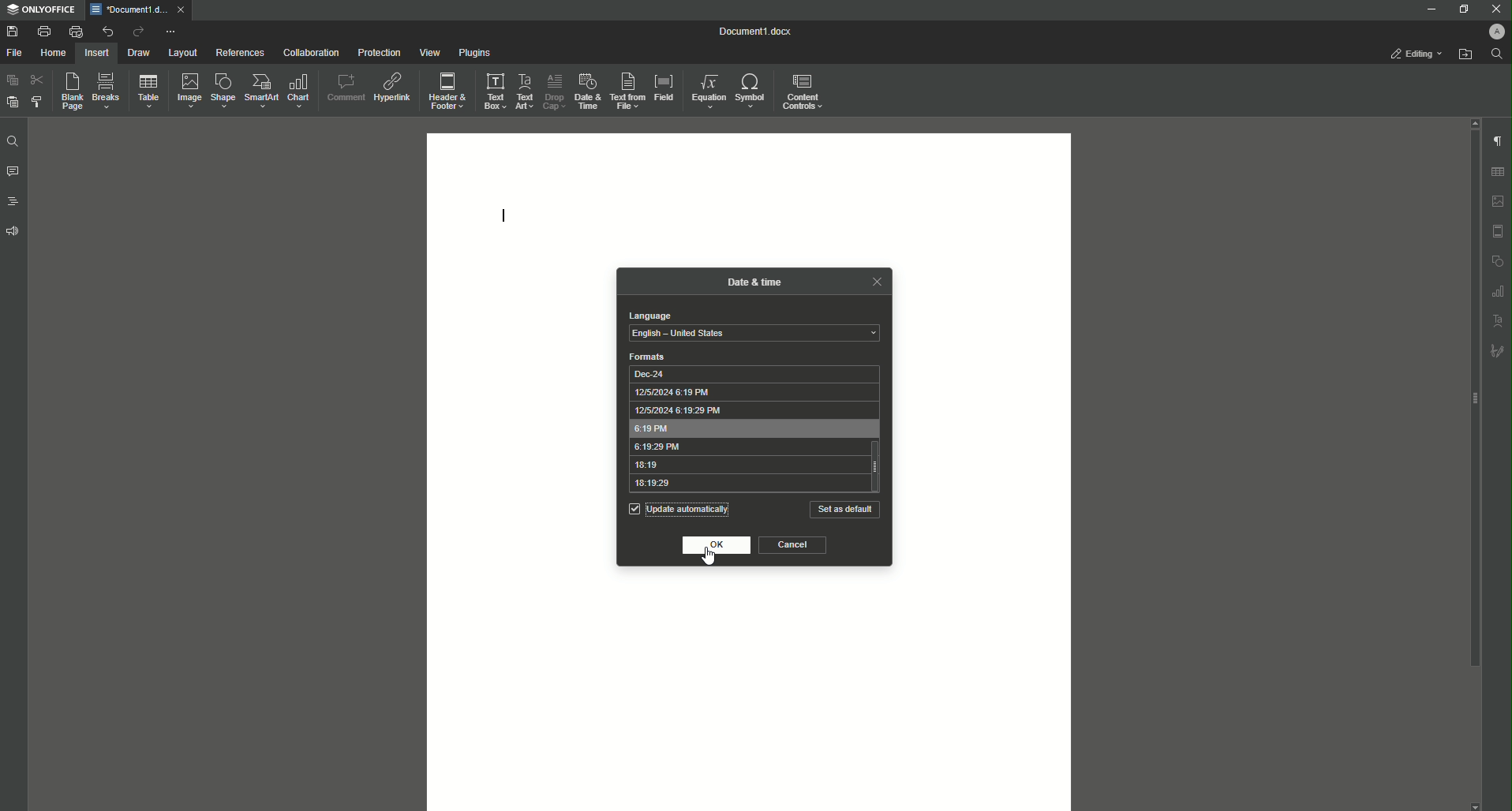  What do you see at coordinates (1497, 260) in the screenshot?
I see `shape settings` at bounding box center [1497, 260].